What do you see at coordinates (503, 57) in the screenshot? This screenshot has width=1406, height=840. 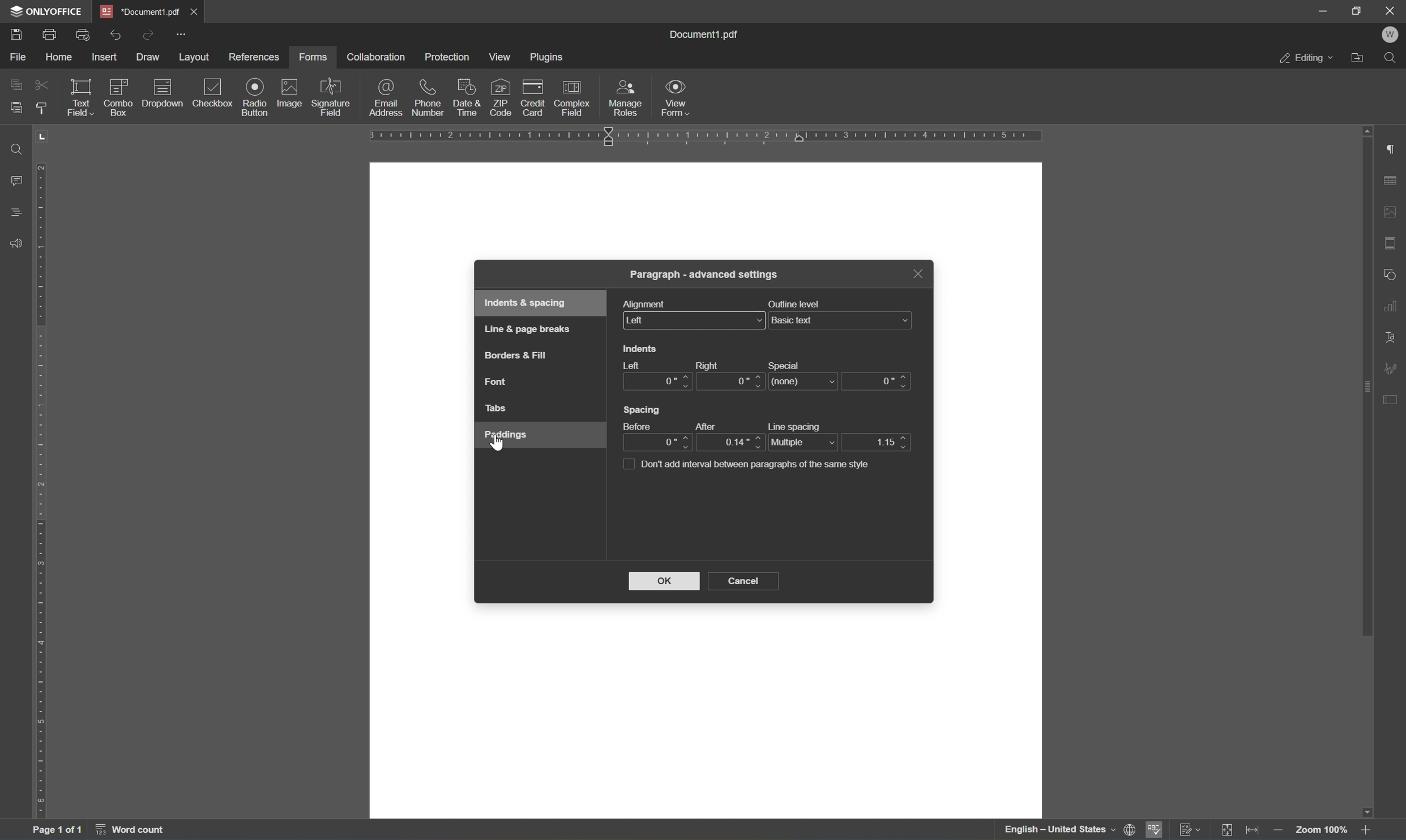 I see `view` at bounding box center [503, 57].